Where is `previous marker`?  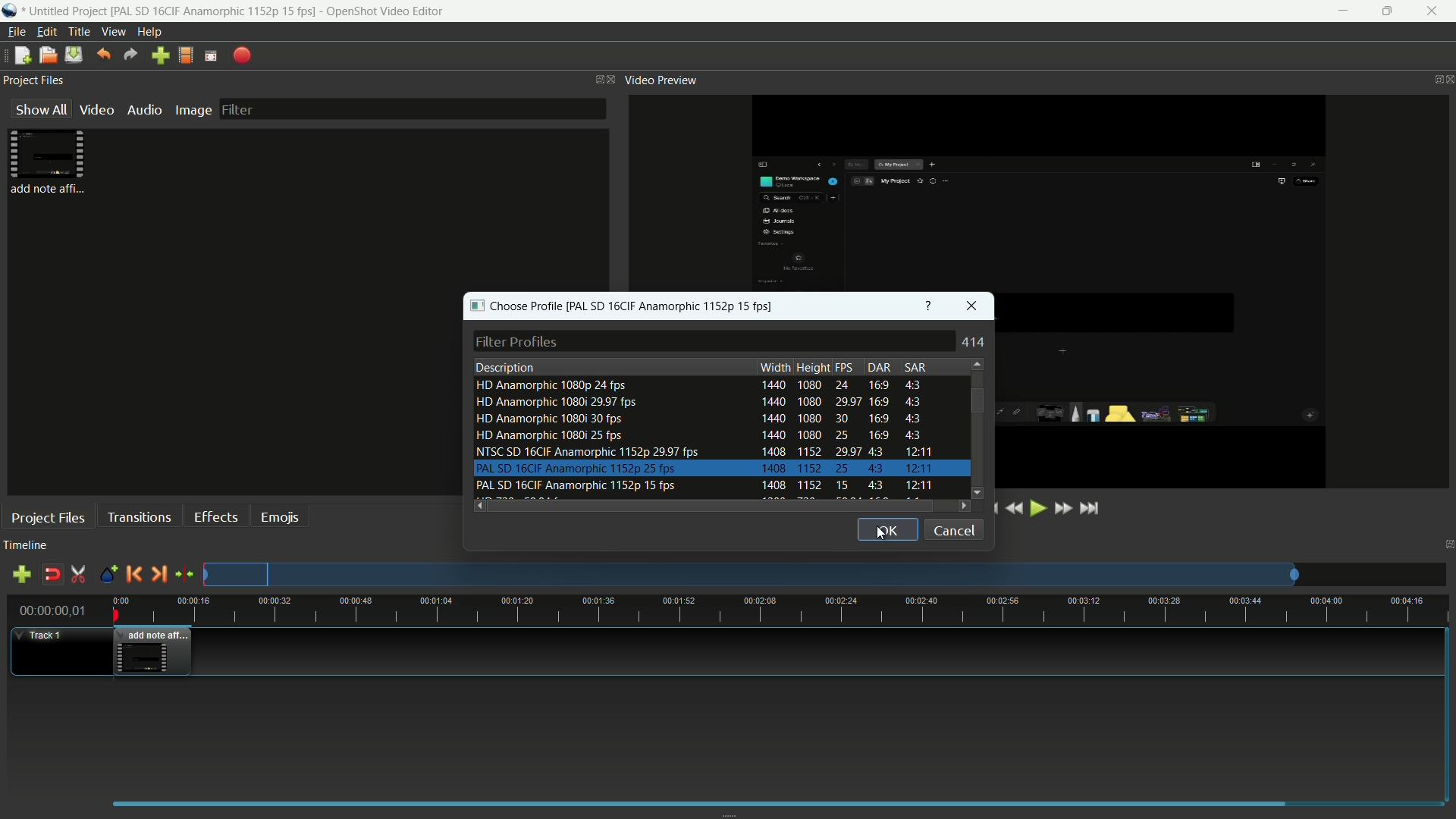
previous marker is located at coordinates (133, 574).